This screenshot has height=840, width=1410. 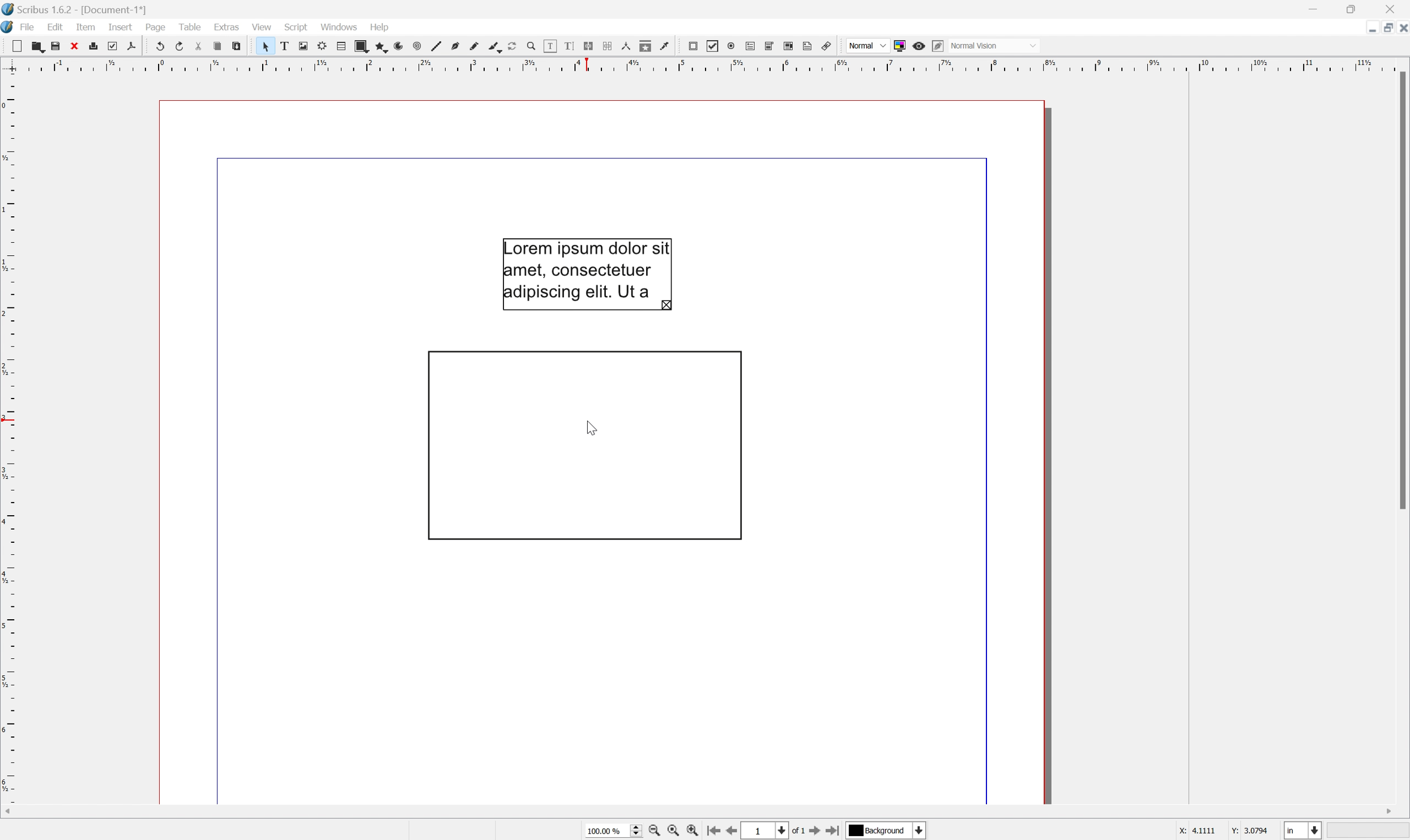 I want to click on Edit, so click(x=54, y=28).